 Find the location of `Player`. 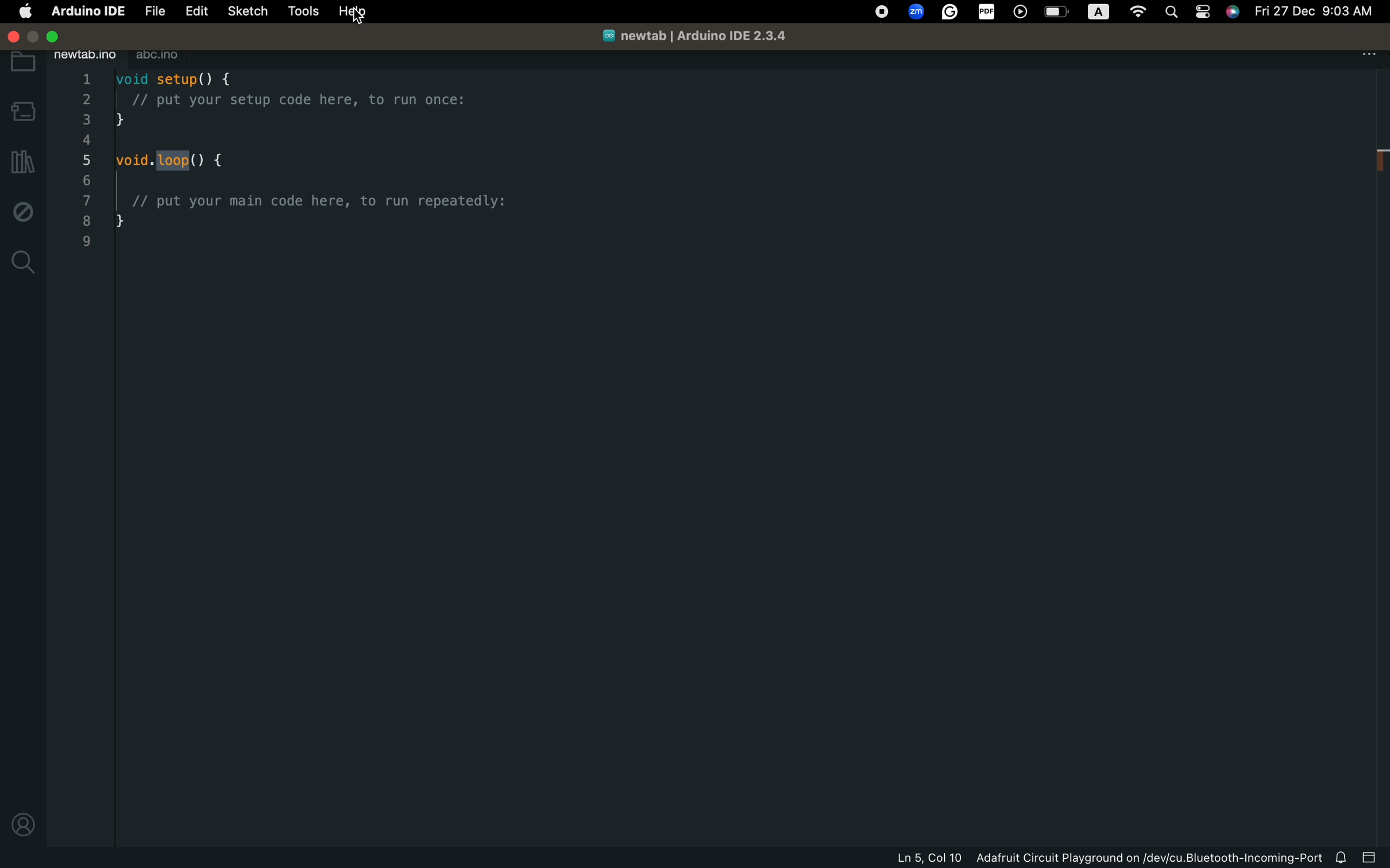

Player is located at coordinates (1022, 13).